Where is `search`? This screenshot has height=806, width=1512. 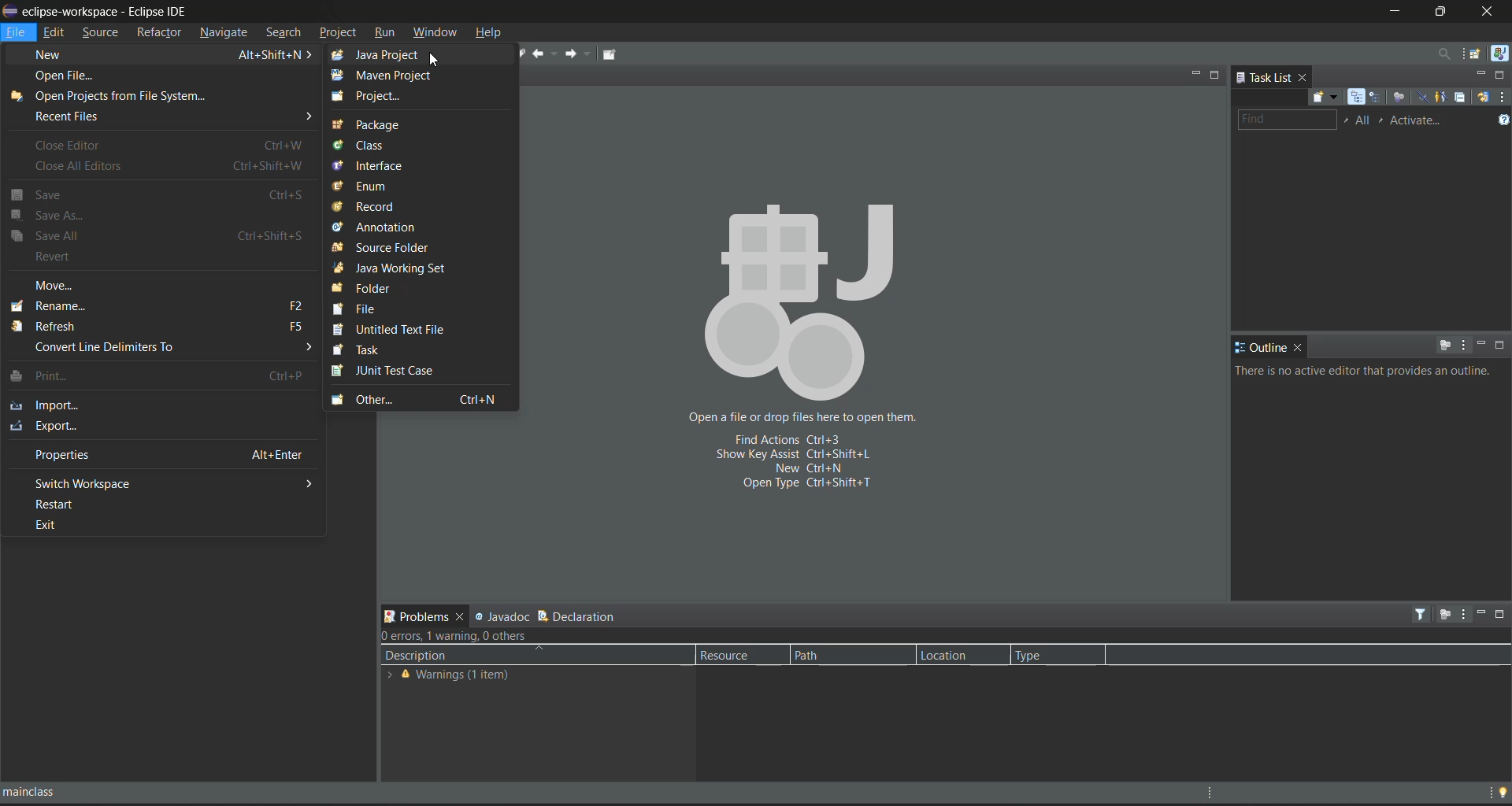 search is located at coordinates (283, 33).